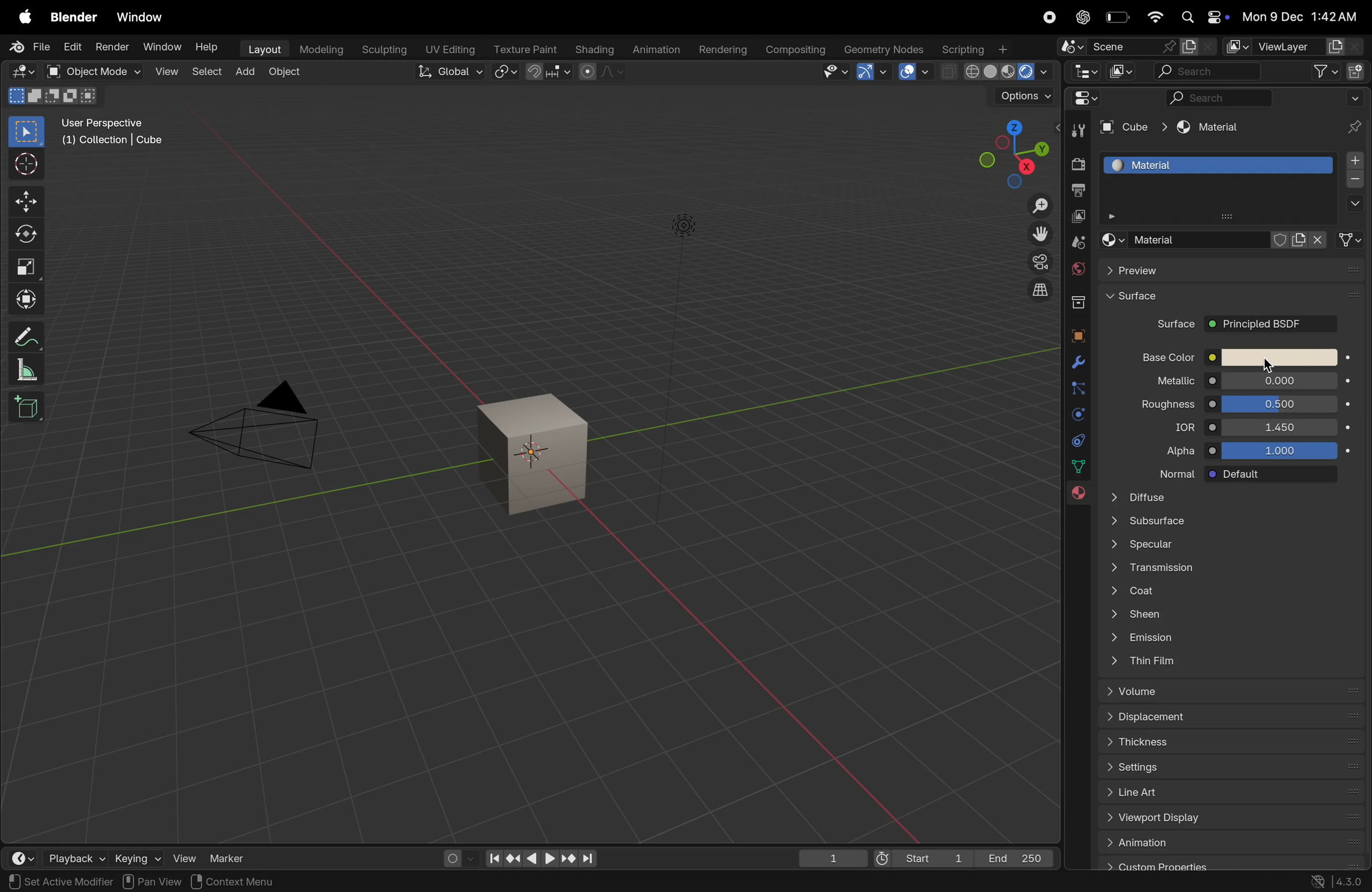 The width and height of the screenshot is (1372, 892). I want to click on battery, so click(1116, 17).